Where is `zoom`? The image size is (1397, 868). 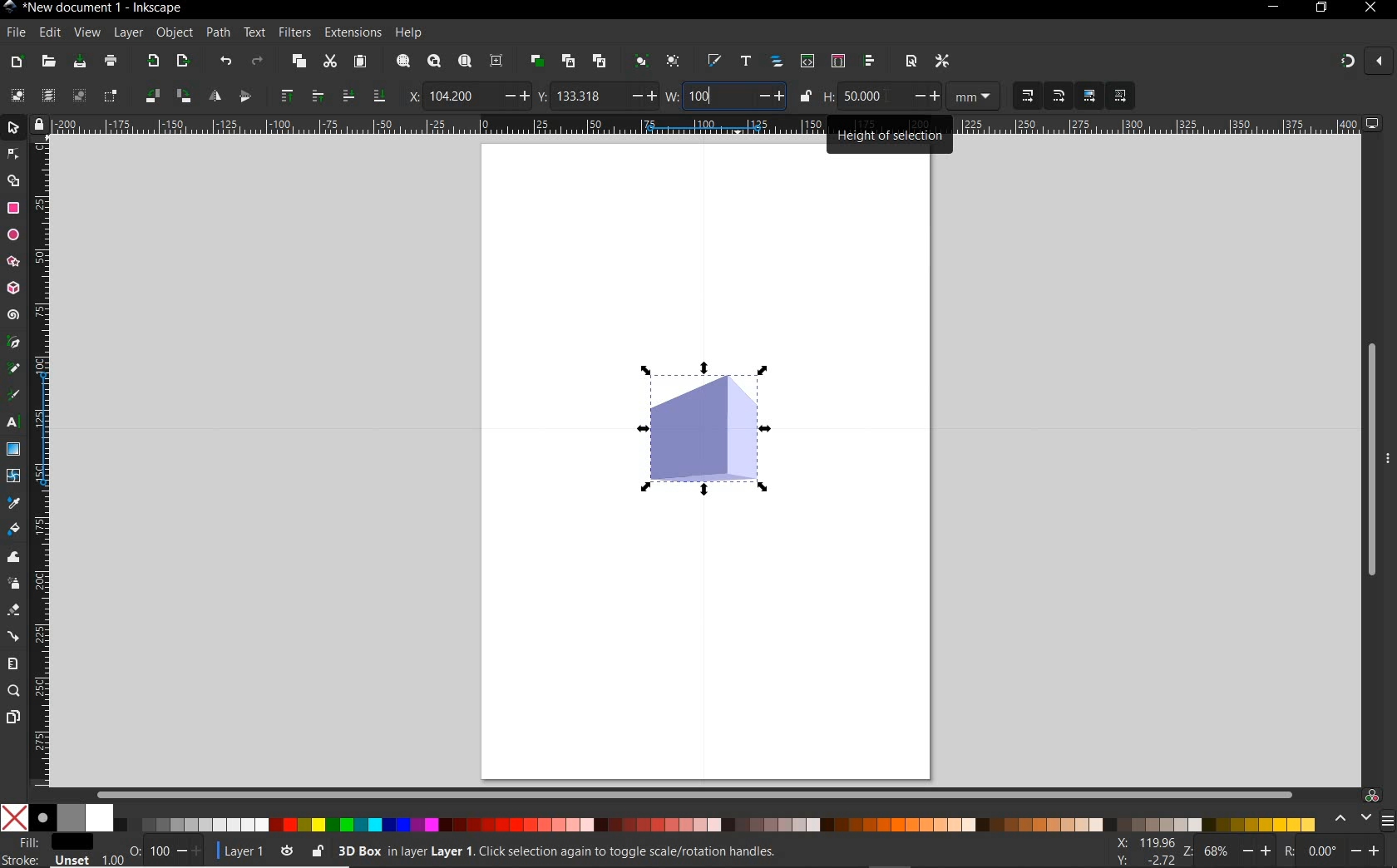
zoom is located at coordinates (1187, 852).